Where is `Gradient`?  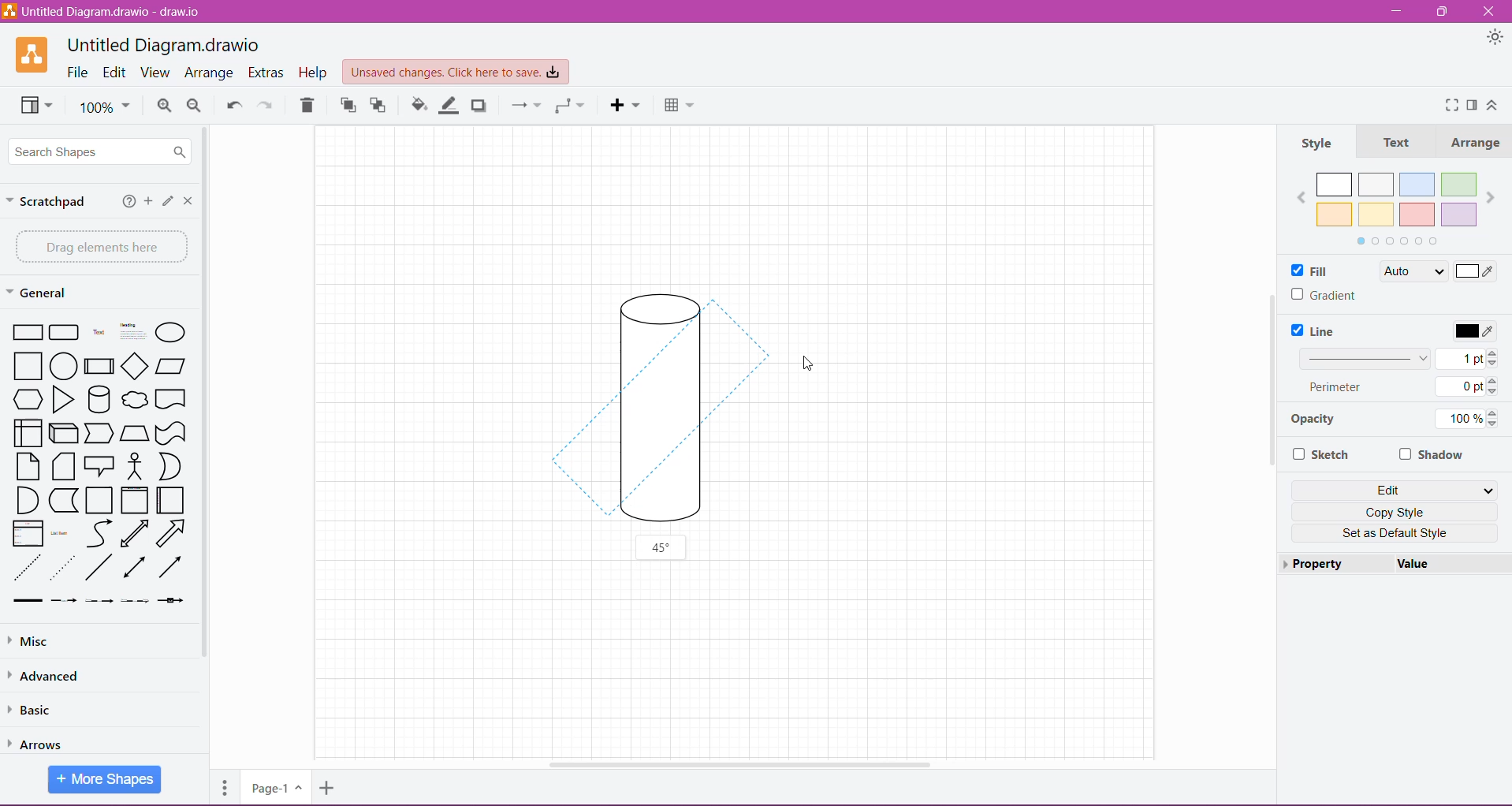
Gradient is located at coordinates (1324, 295).